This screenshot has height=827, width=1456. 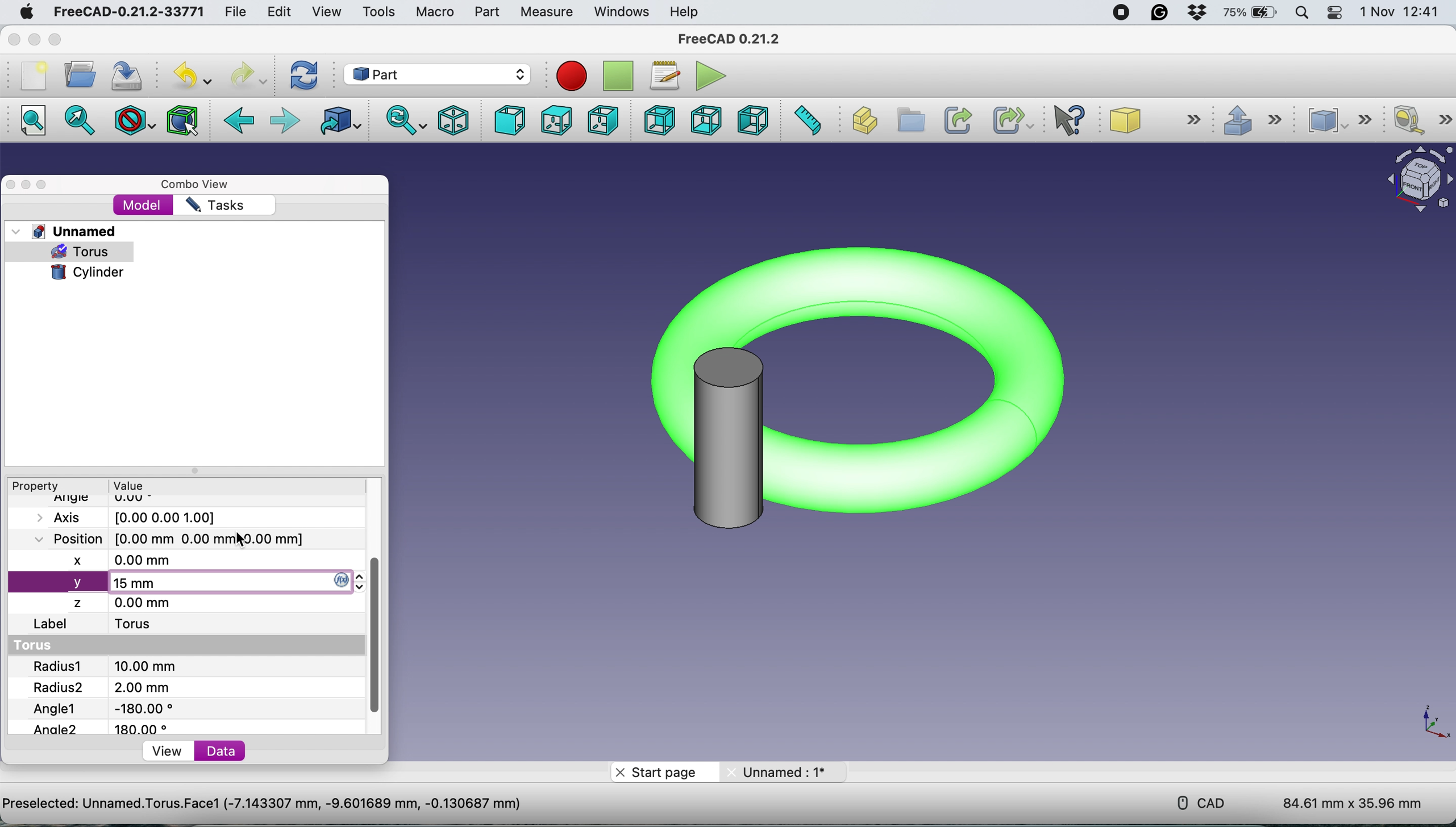 I want to click on unnamed, so click(x=66, y=231).